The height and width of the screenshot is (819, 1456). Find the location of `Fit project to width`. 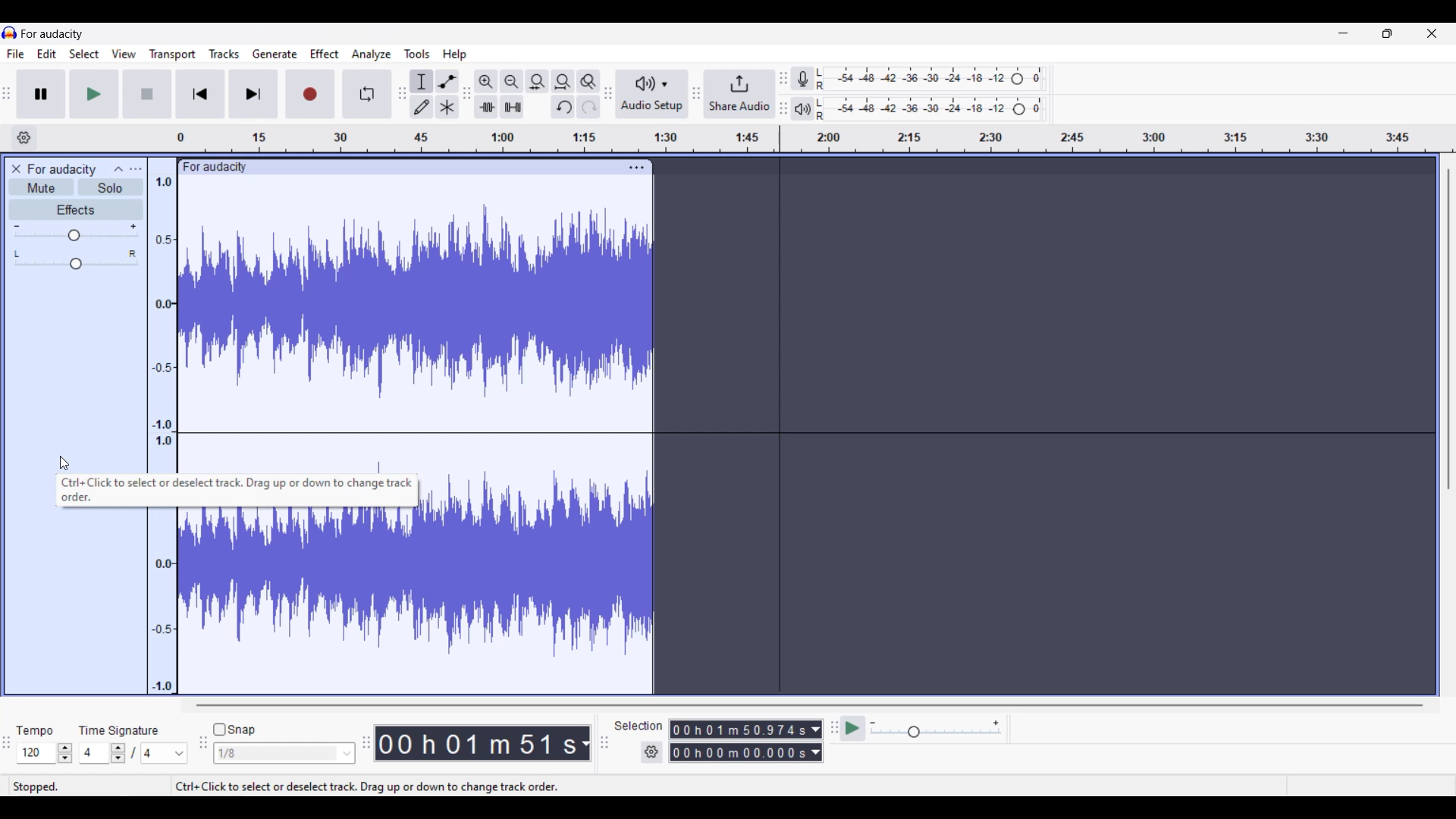

Fit project to width is located at coordinates (563, 82).